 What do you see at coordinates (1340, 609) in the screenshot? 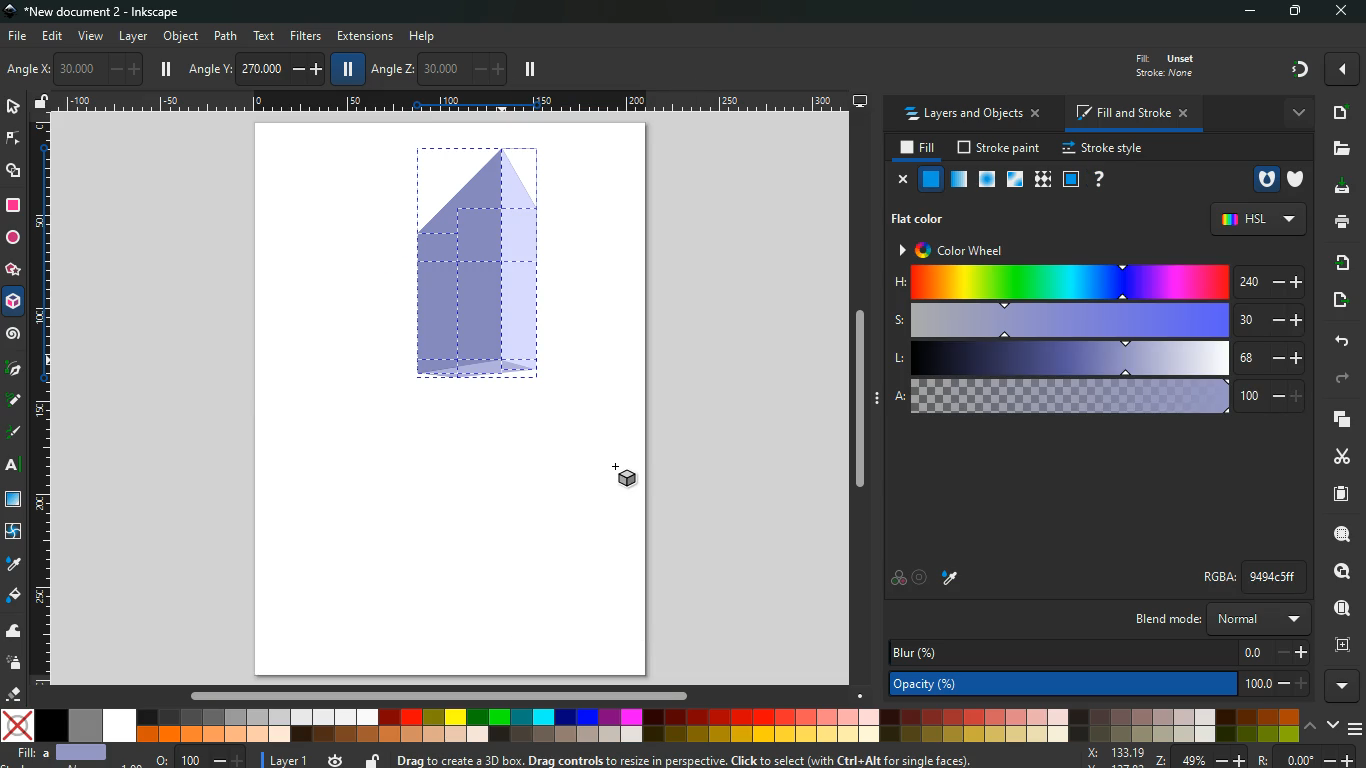
I see `find` at bounding box center [1340, 609].